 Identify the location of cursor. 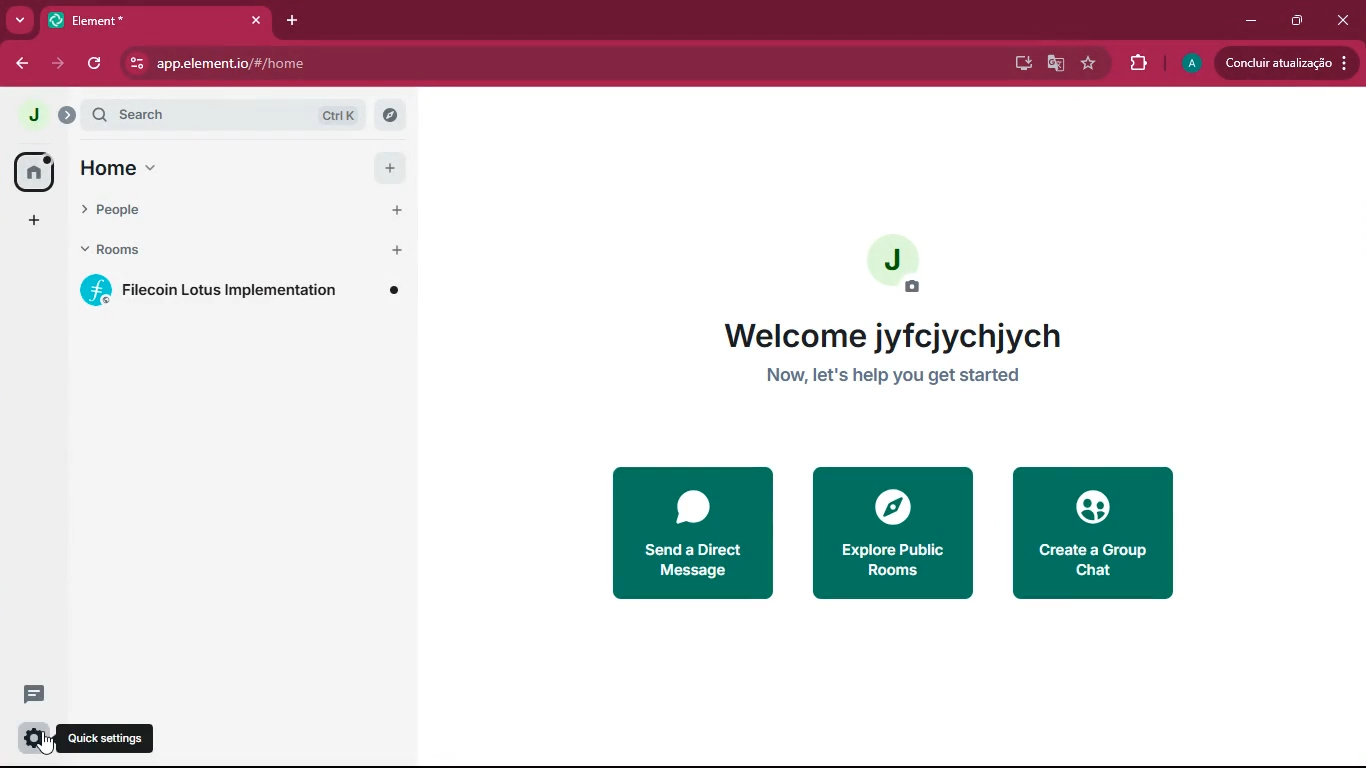
(46, 743).